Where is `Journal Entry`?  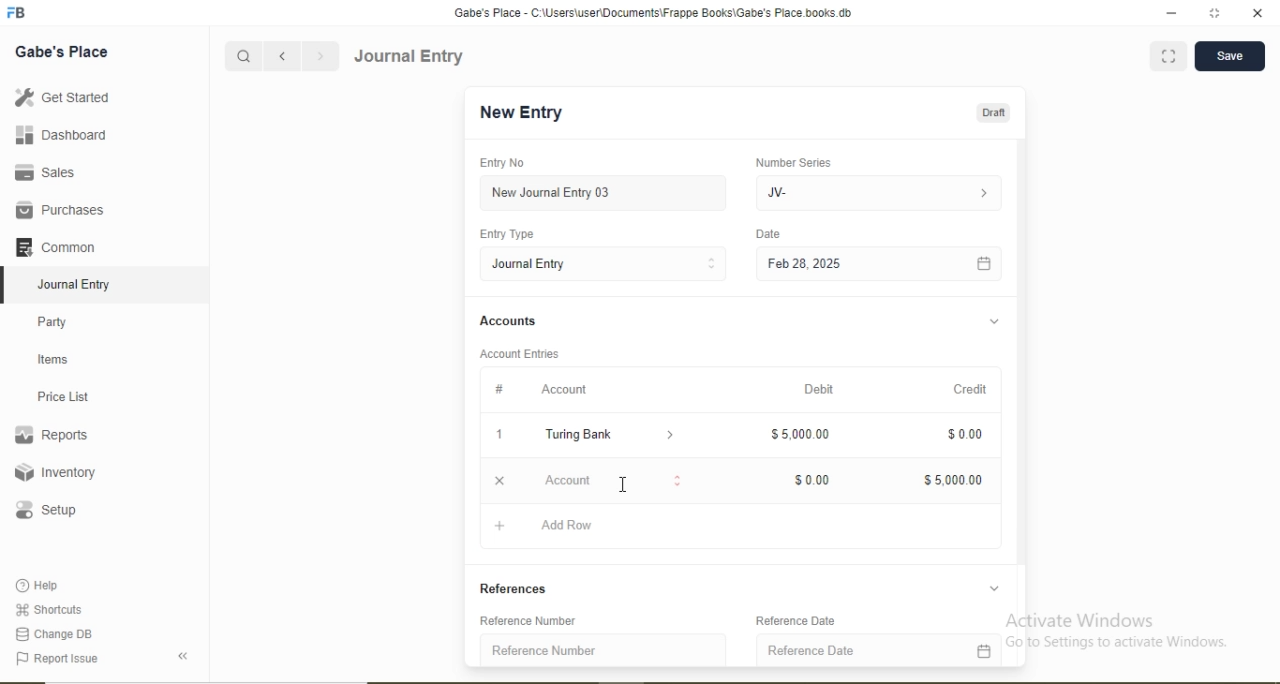
Journal Entry is located at coordinates (531, 264).